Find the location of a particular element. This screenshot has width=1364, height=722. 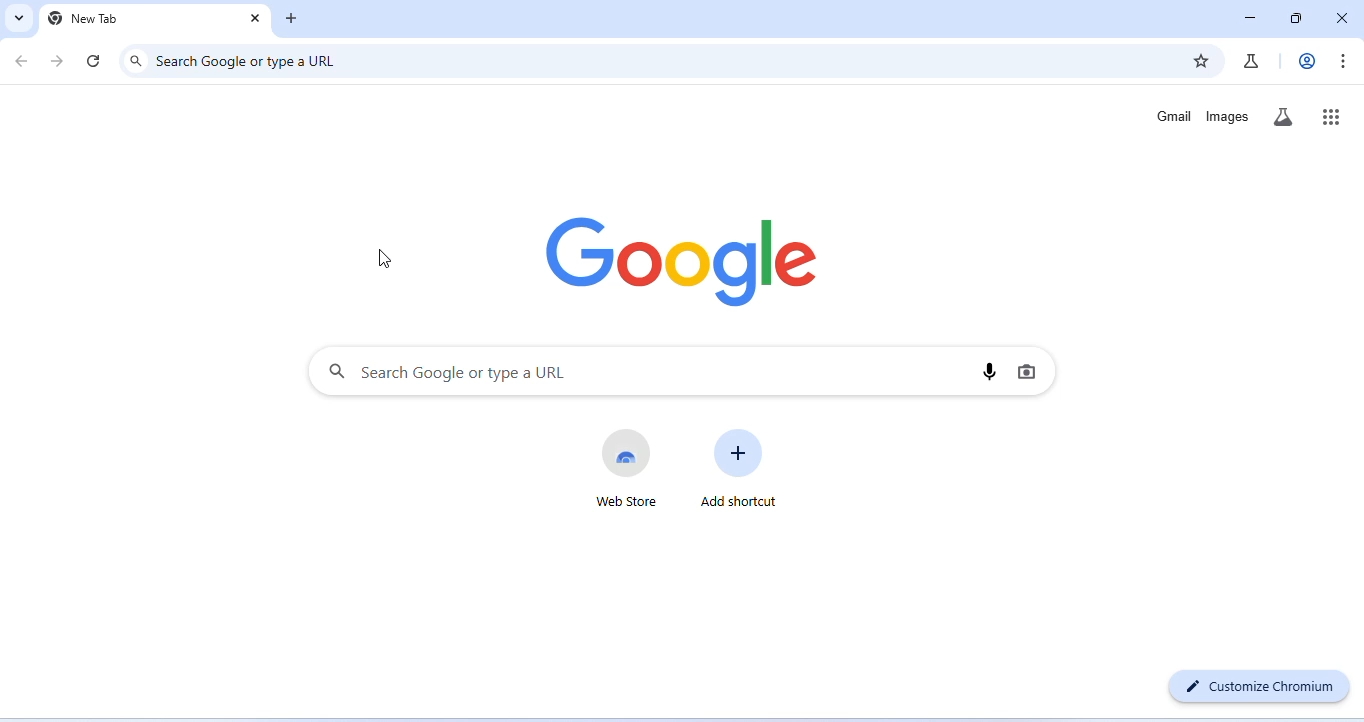

add new tab is located at coordinates (294, 18).